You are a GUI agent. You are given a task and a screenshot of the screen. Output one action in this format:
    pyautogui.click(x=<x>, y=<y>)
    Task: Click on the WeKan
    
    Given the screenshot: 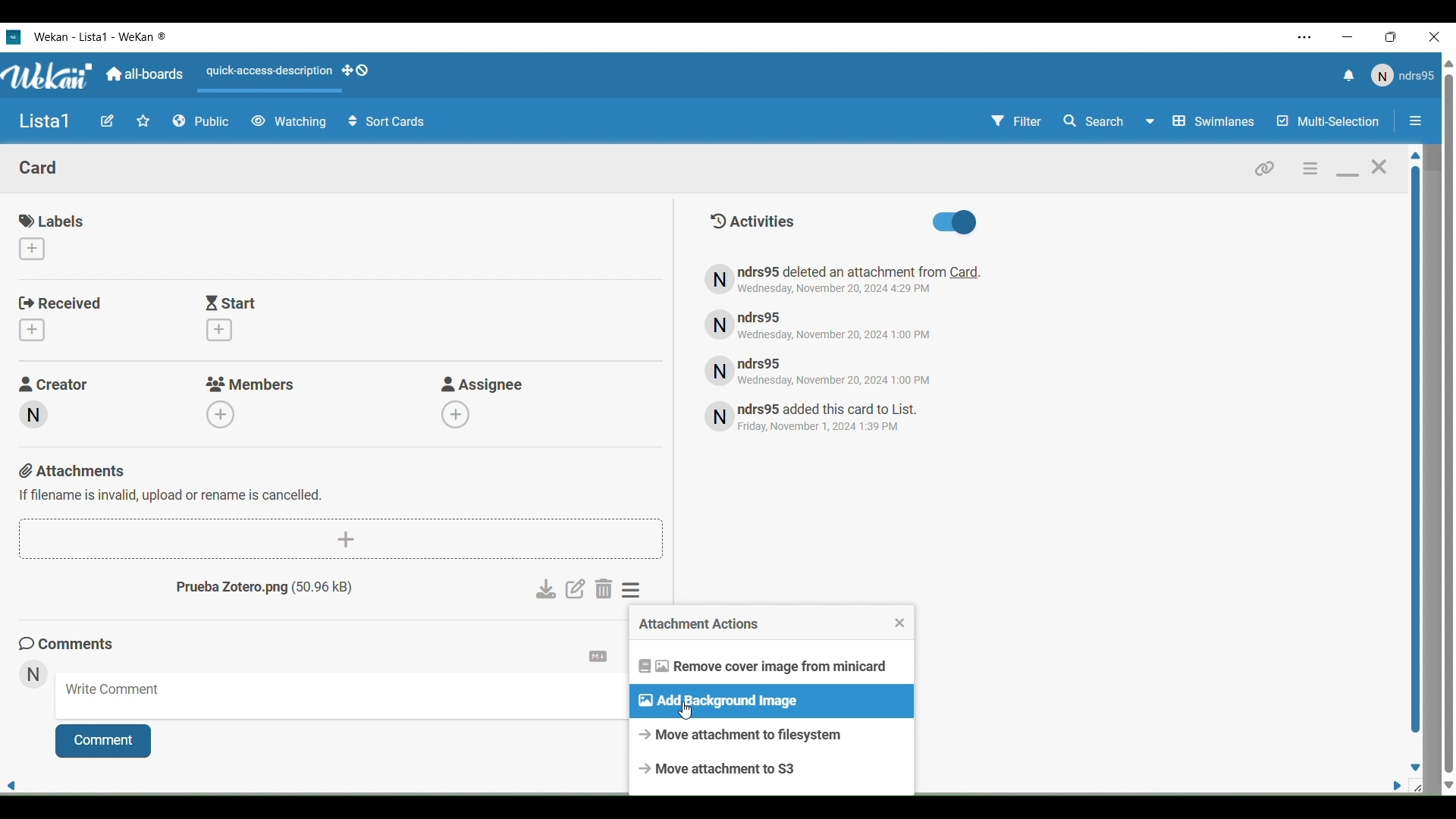 What is the action you would take?
    pyautogui.click(x=102, y=36)
    